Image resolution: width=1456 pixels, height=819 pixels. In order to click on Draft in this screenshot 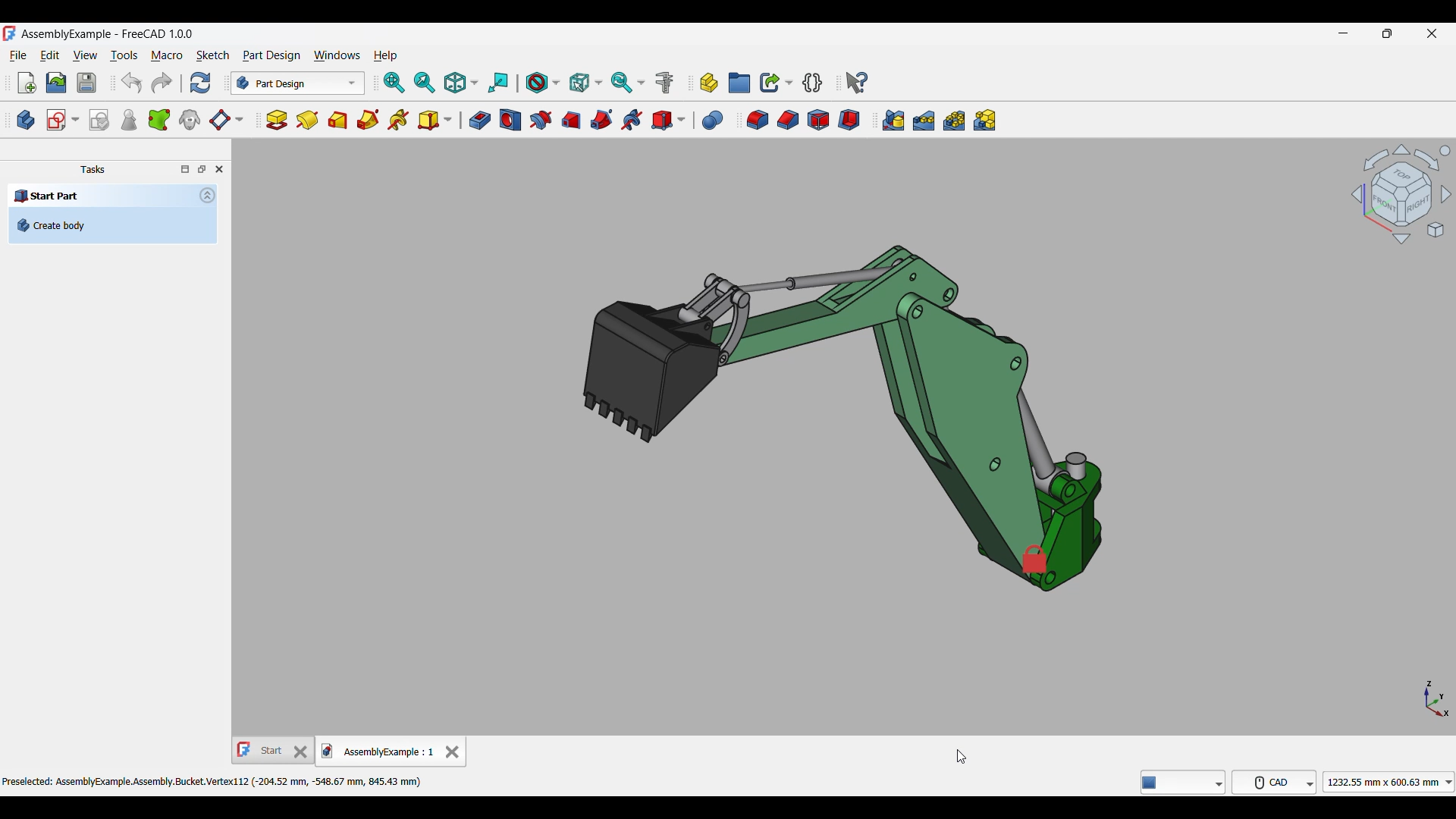, I will do `click(818, 120)`.